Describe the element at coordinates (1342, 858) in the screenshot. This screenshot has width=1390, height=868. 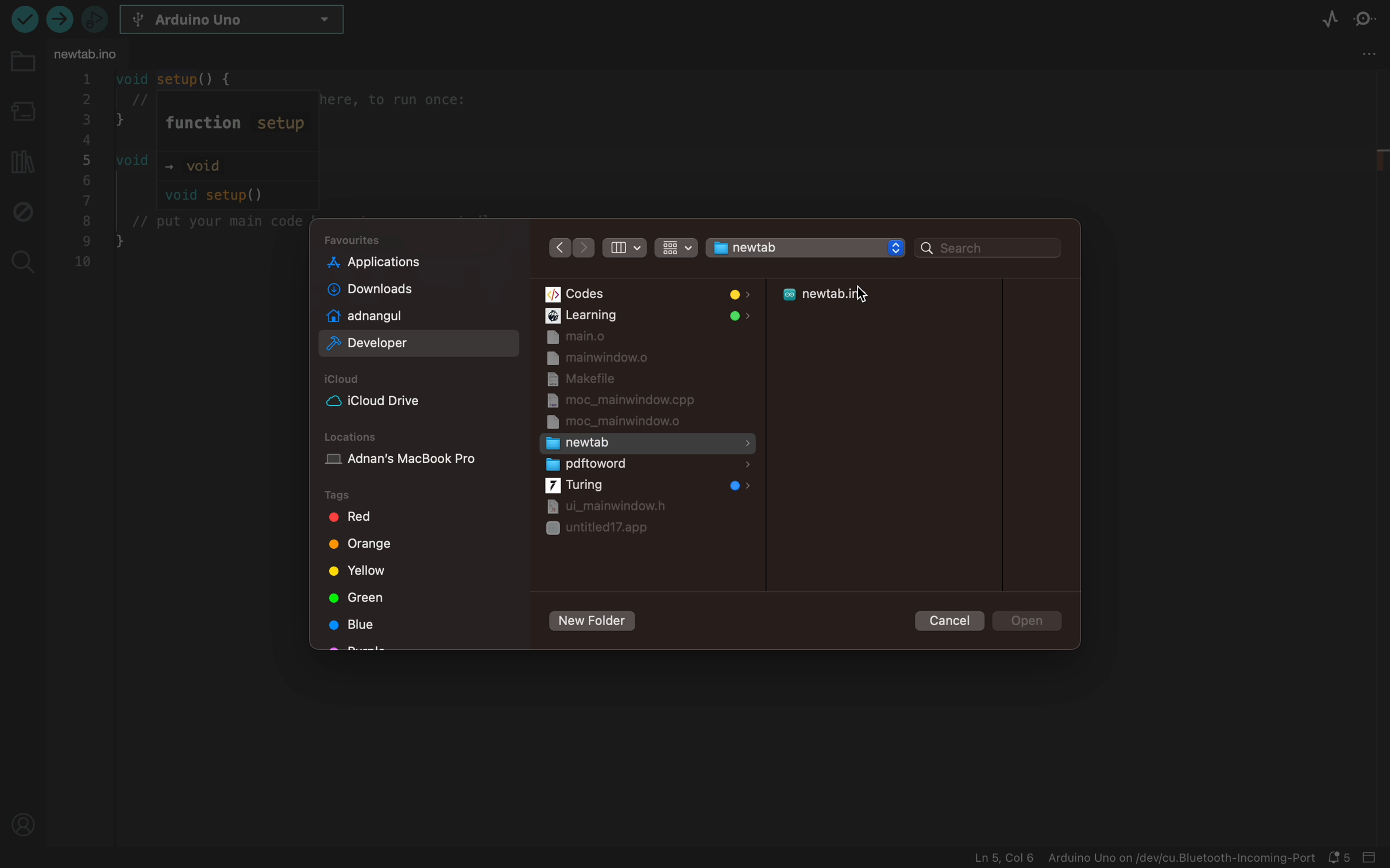
I see `notification` at that location.